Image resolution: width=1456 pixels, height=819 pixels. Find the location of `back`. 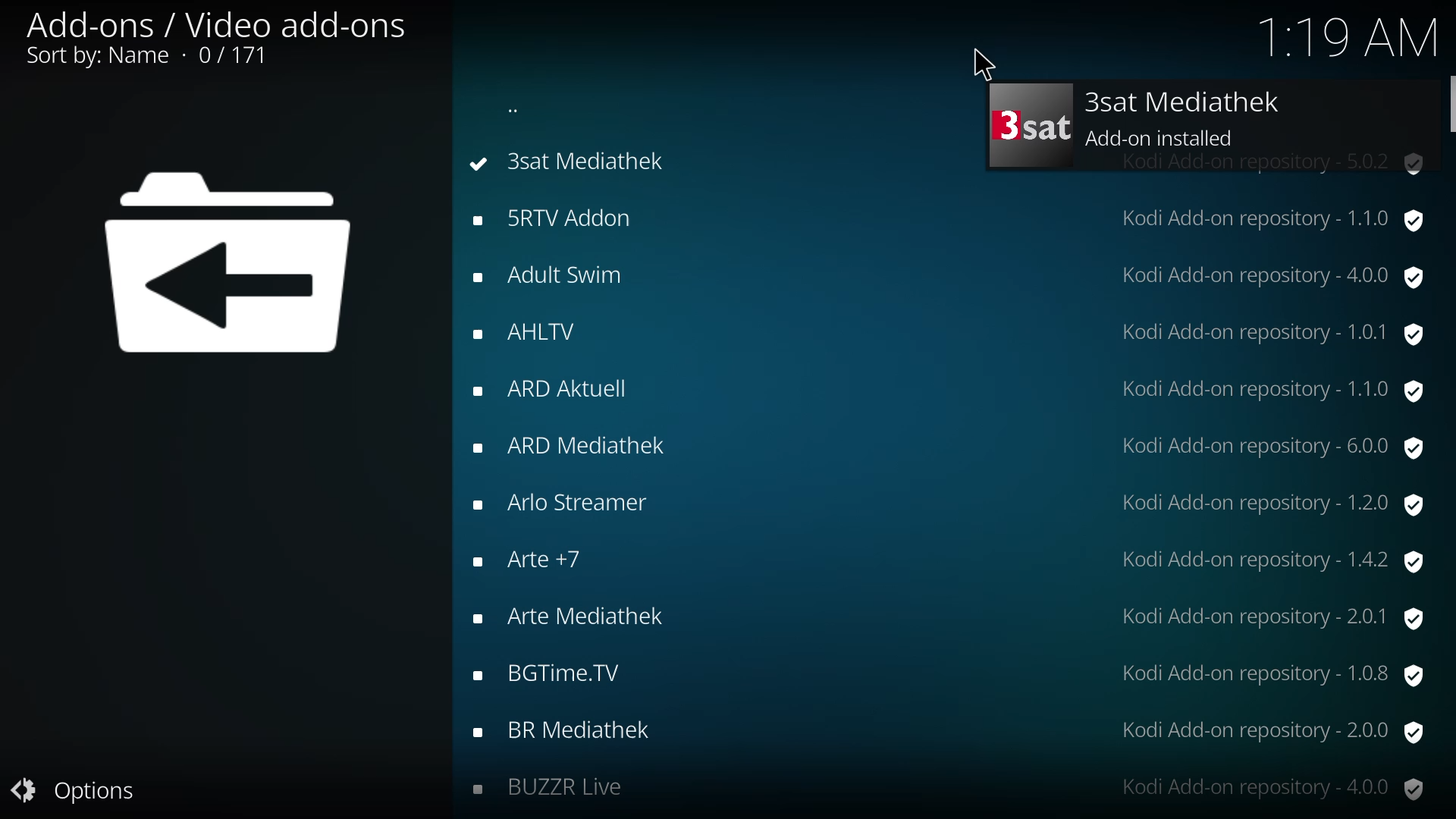

back is located at coordinates (519, 111).